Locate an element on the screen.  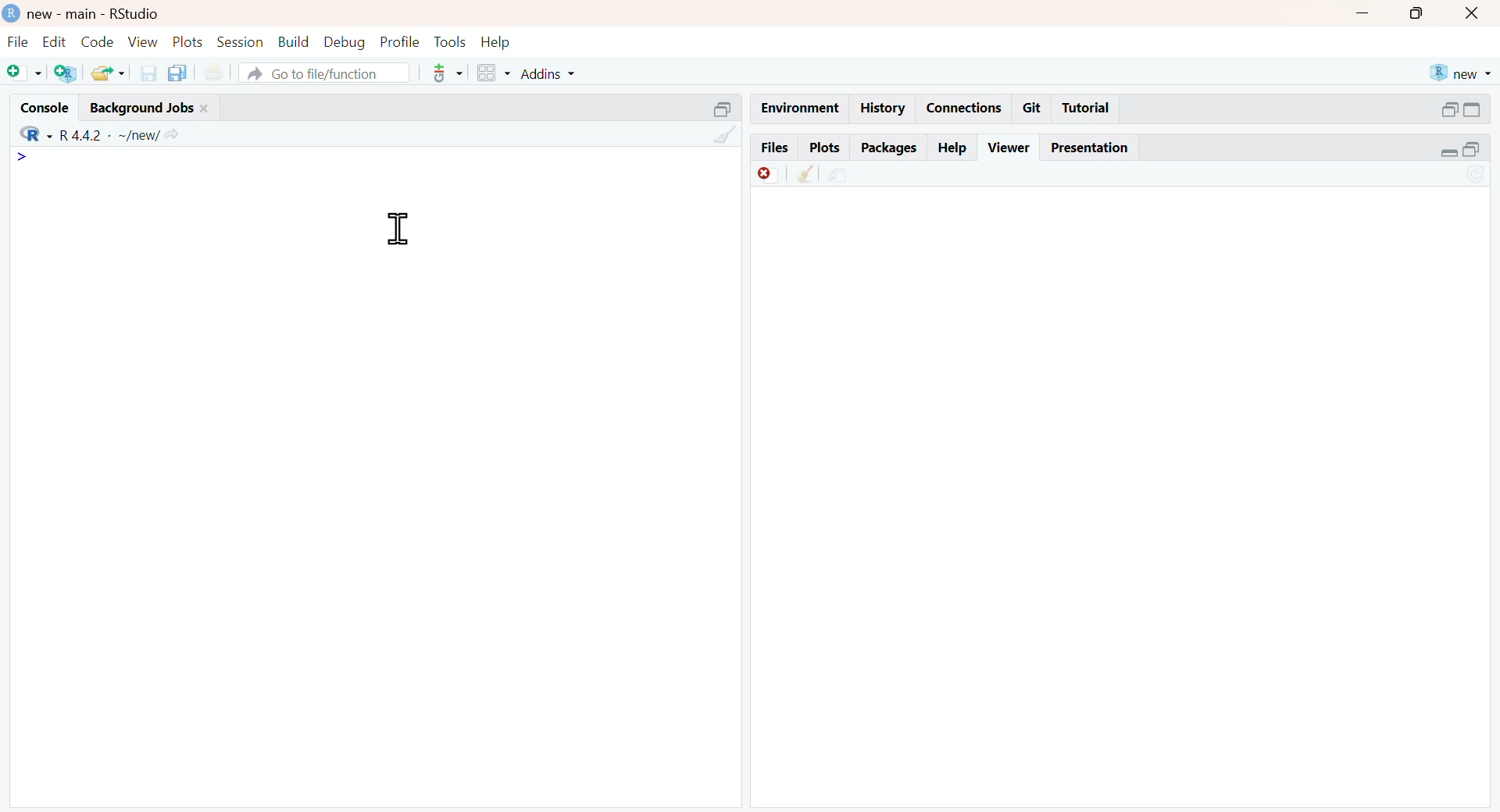
Build is located at coordinates (294, 40).